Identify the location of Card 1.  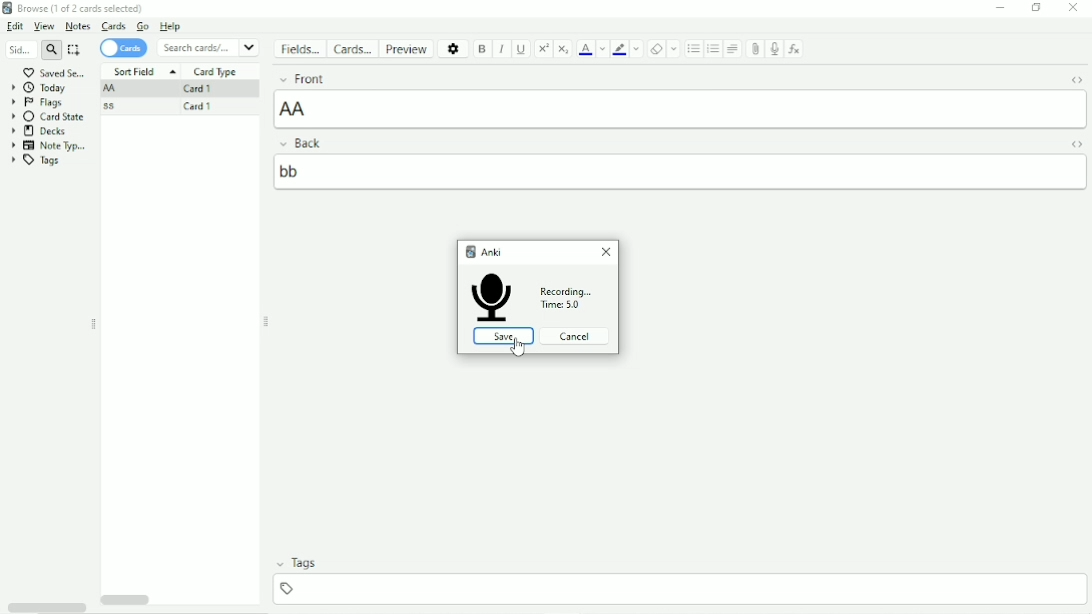
(200, 89).